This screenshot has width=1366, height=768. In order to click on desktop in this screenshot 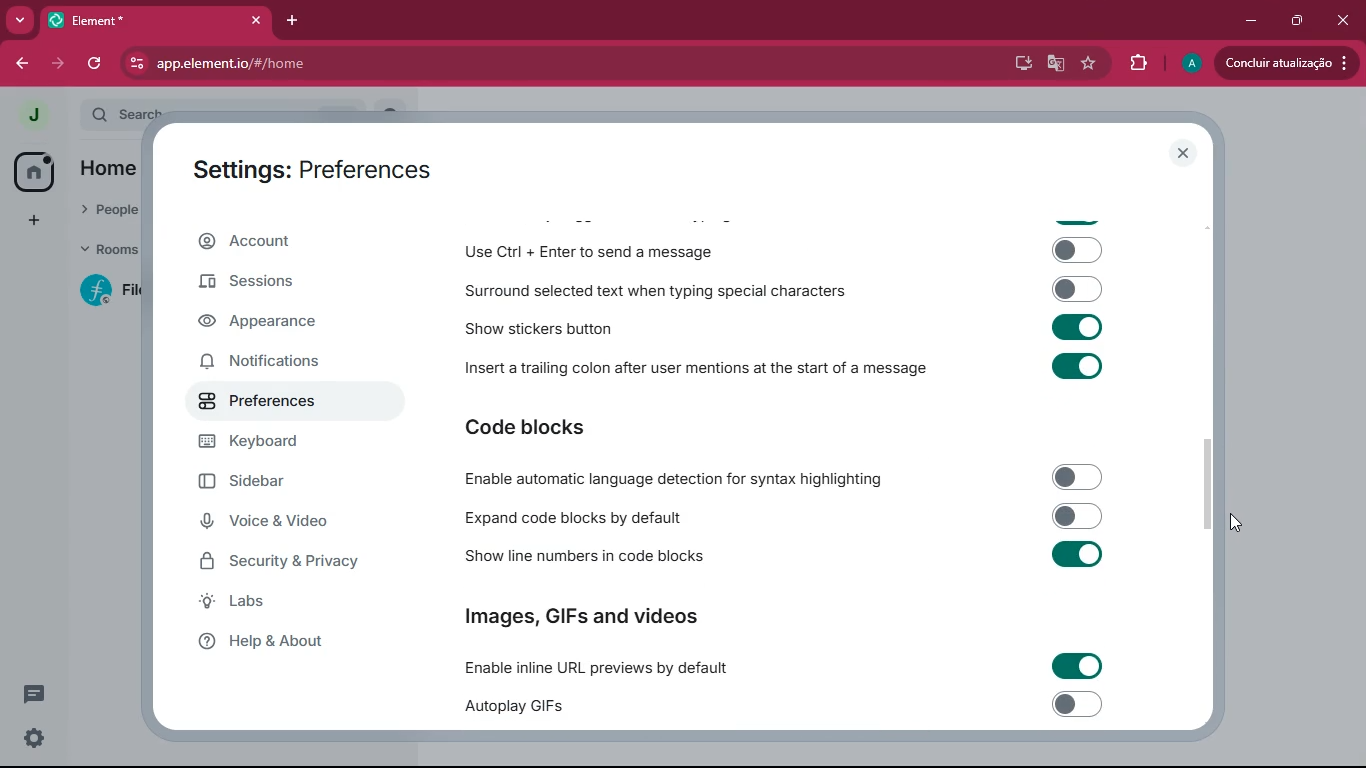, I will do `click(1017, 64)`.